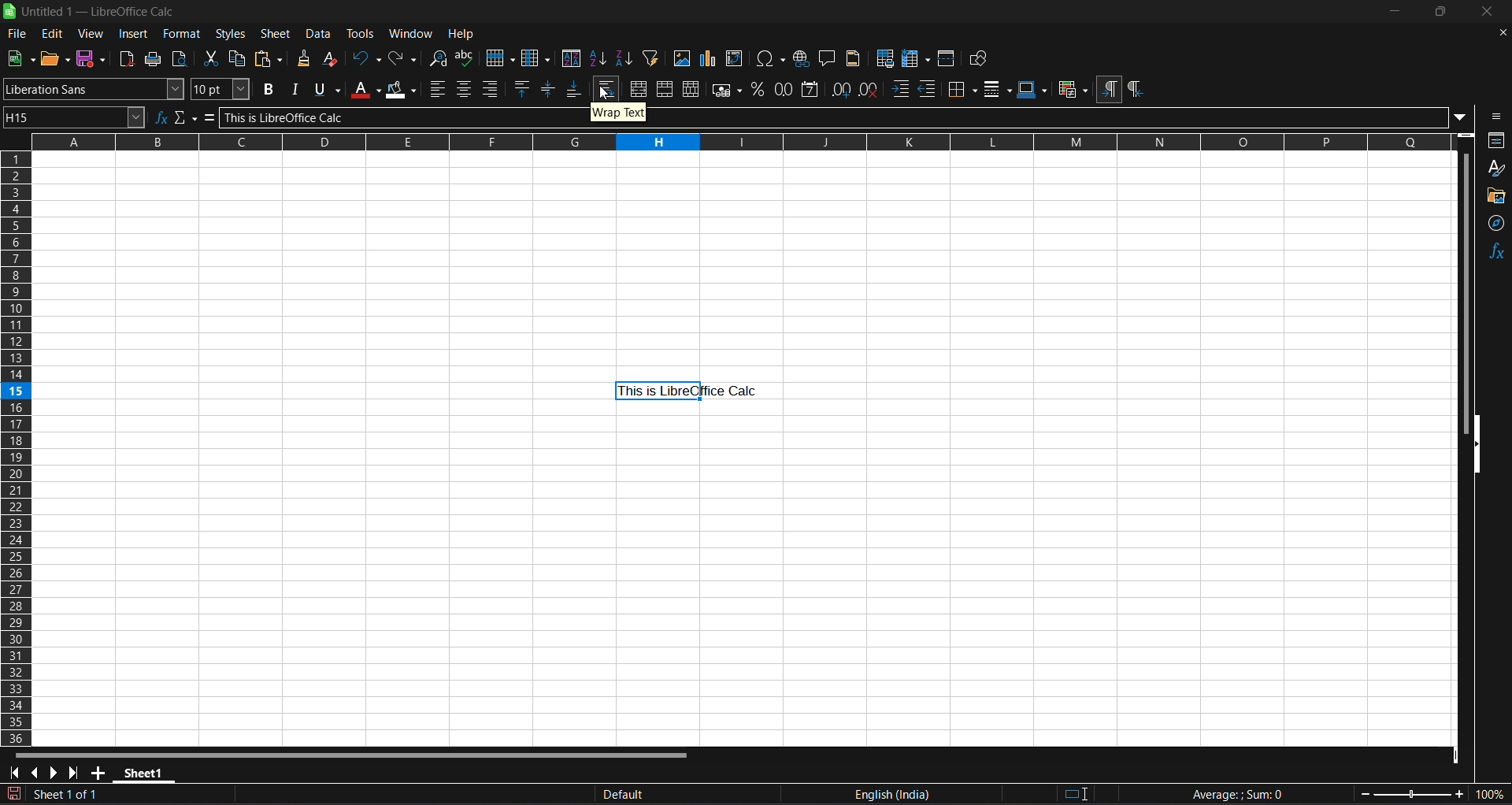 This screenshot has height=805, width=1512. What do you see at coordinates (14, 773) in the screenshot?
I see `scroll to first sheet` at bounding box center [14, 773].